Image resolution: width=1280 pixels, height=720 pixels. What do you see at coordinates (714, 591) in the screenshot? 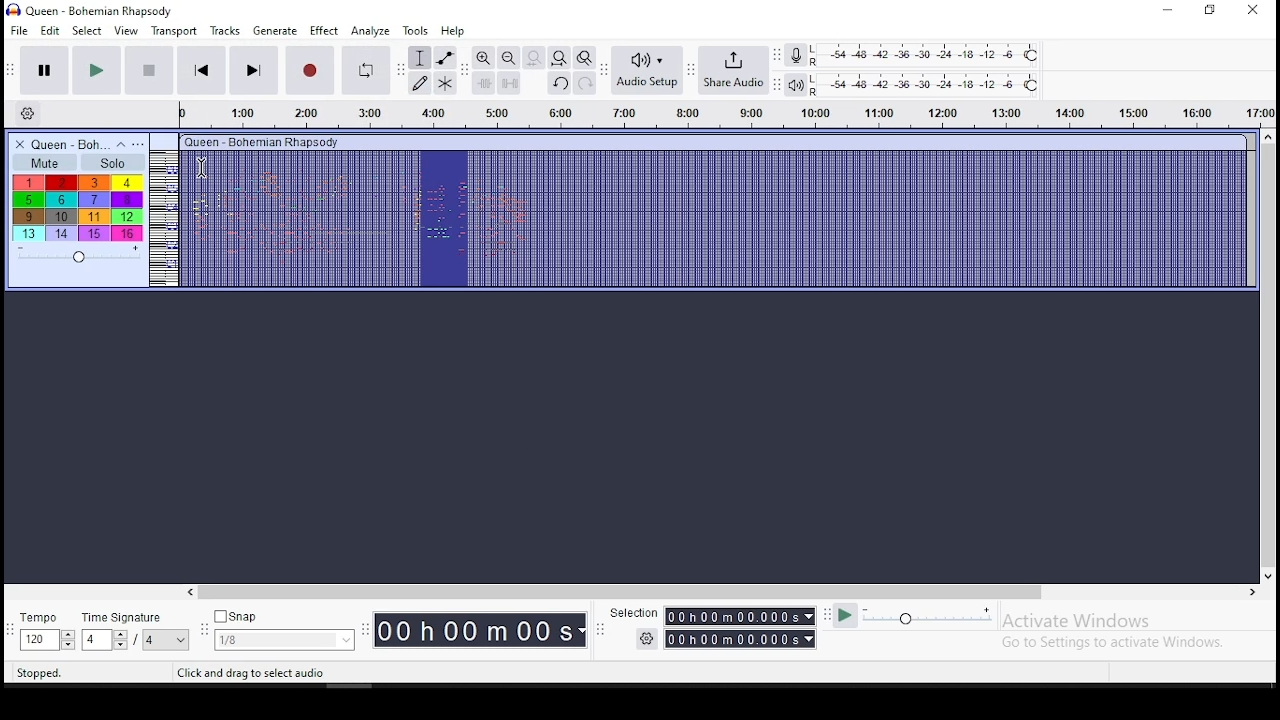
I see `scroll bar` at bounding box center [714, 591].